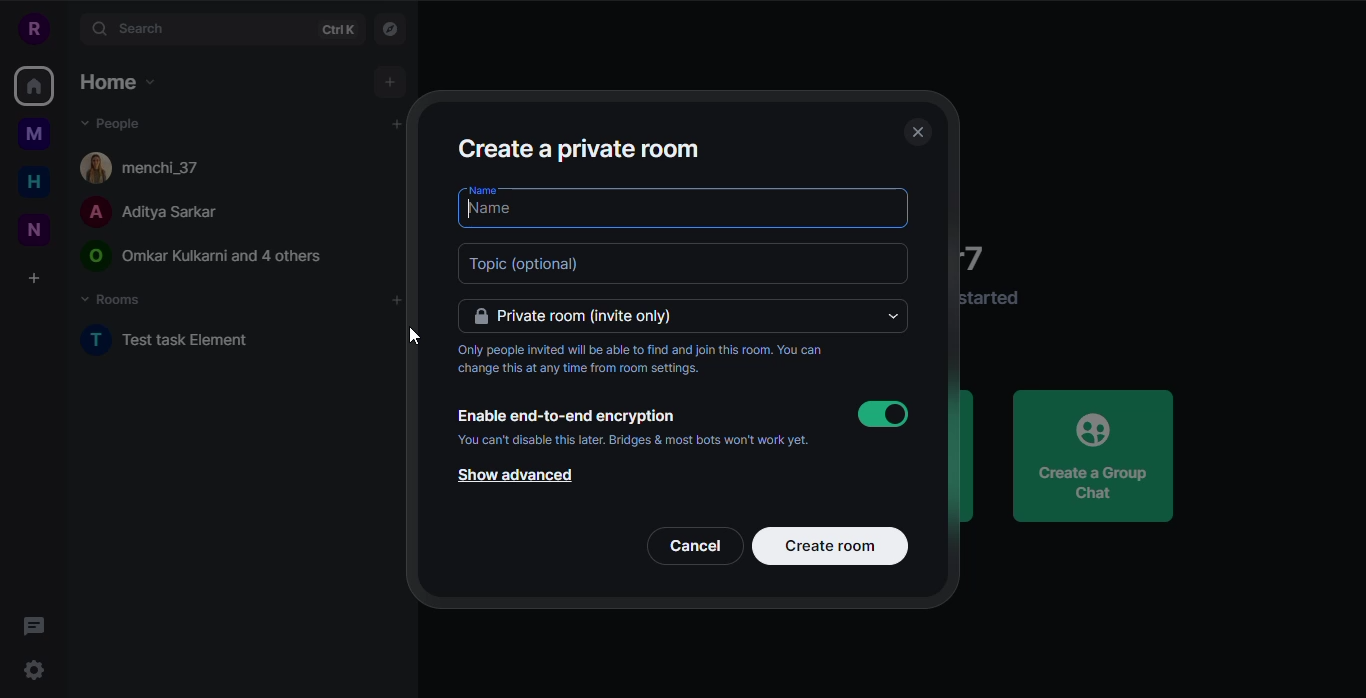 The image size is (1366, 698). Describe the element at coordinates (511, 477) in the screenshot. I see `show advanced` at that location.